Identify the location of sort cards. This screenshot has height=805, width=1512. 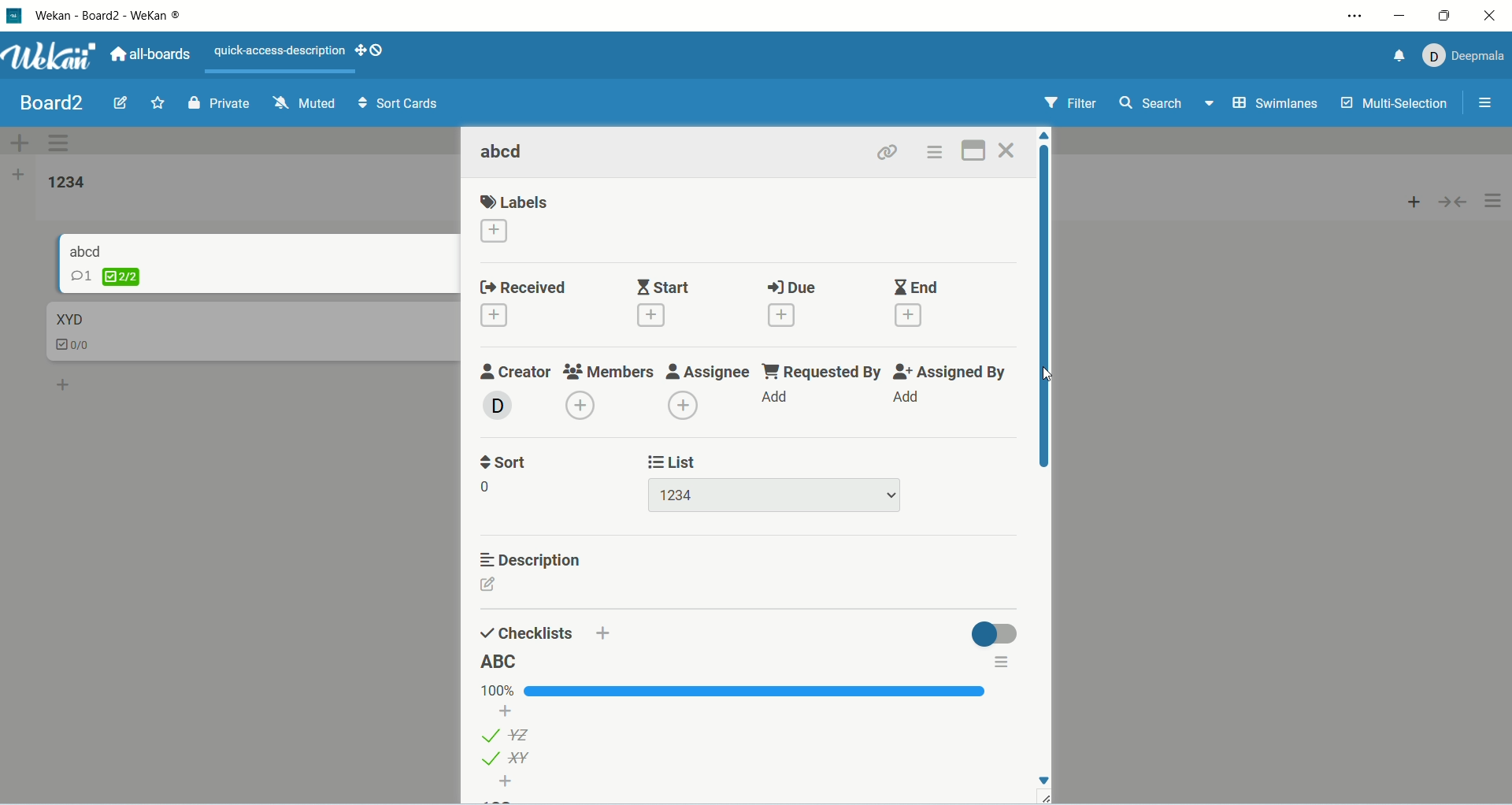
(400, 104).